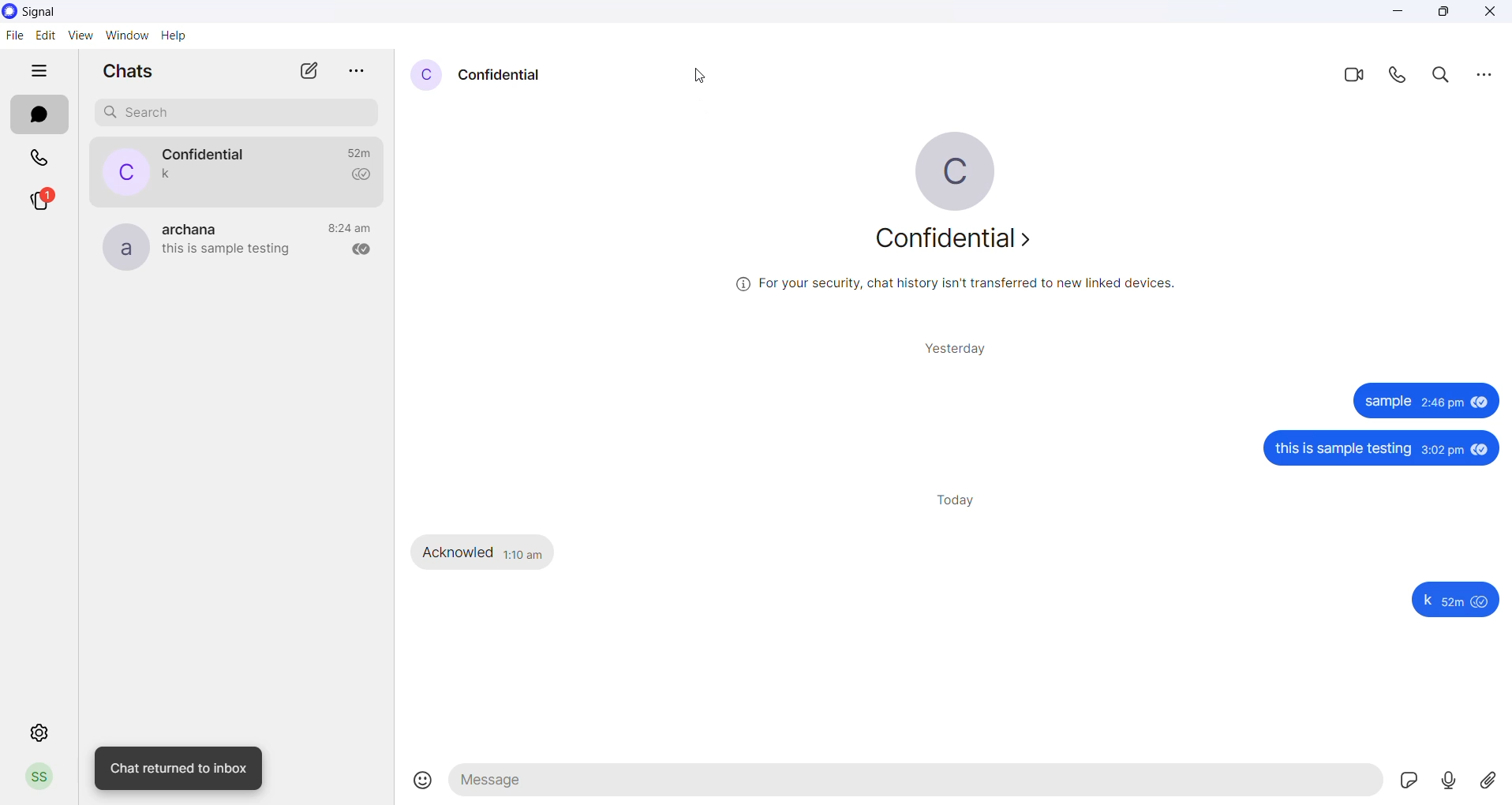  Describe the element at coordinates (1390, 402) in the screenshot. I see `sample` at that location.